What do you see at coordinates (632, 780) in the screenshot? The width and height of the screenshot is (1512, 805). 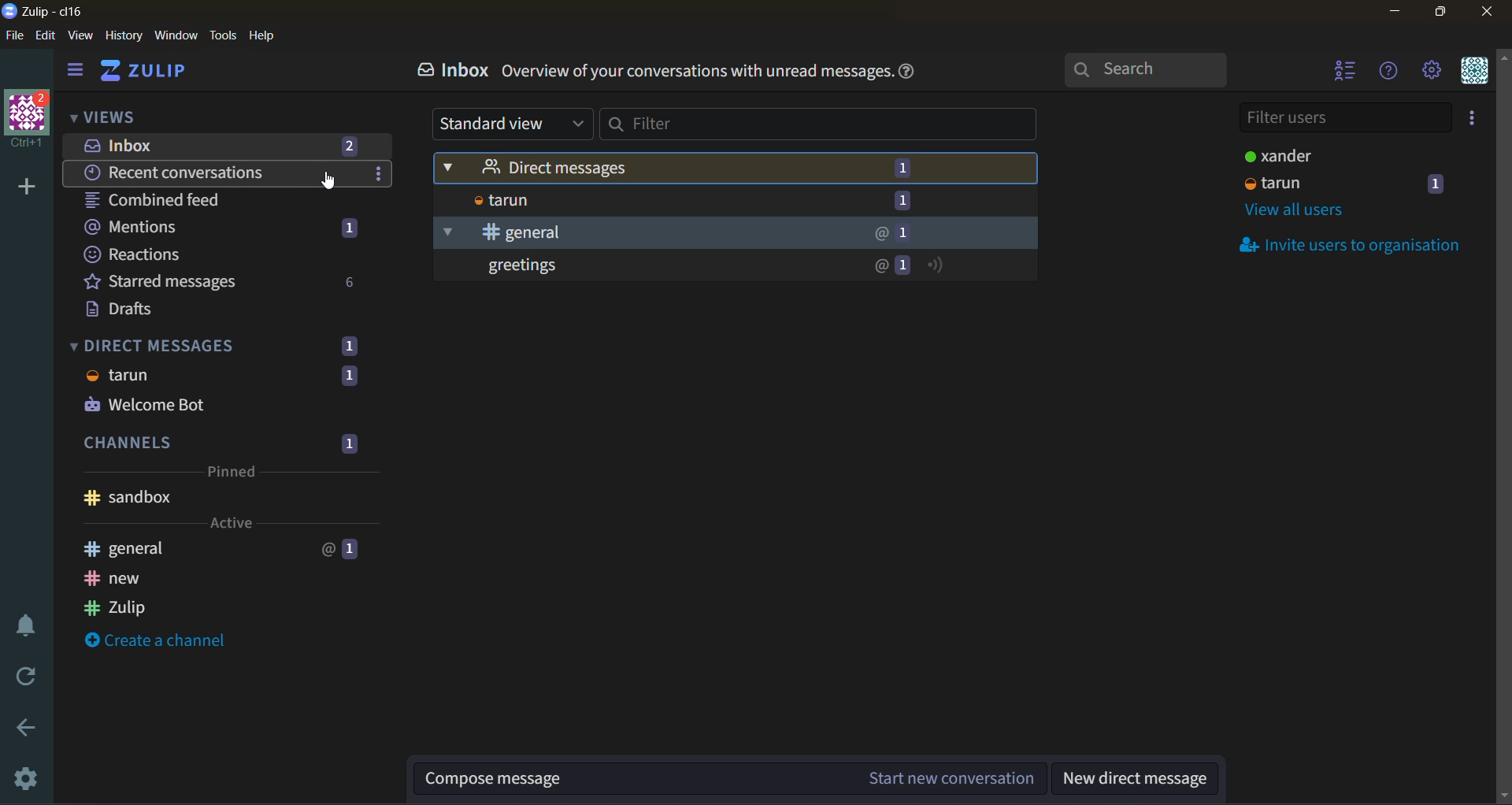 I see `compose message` at bounding box center [632, 780].